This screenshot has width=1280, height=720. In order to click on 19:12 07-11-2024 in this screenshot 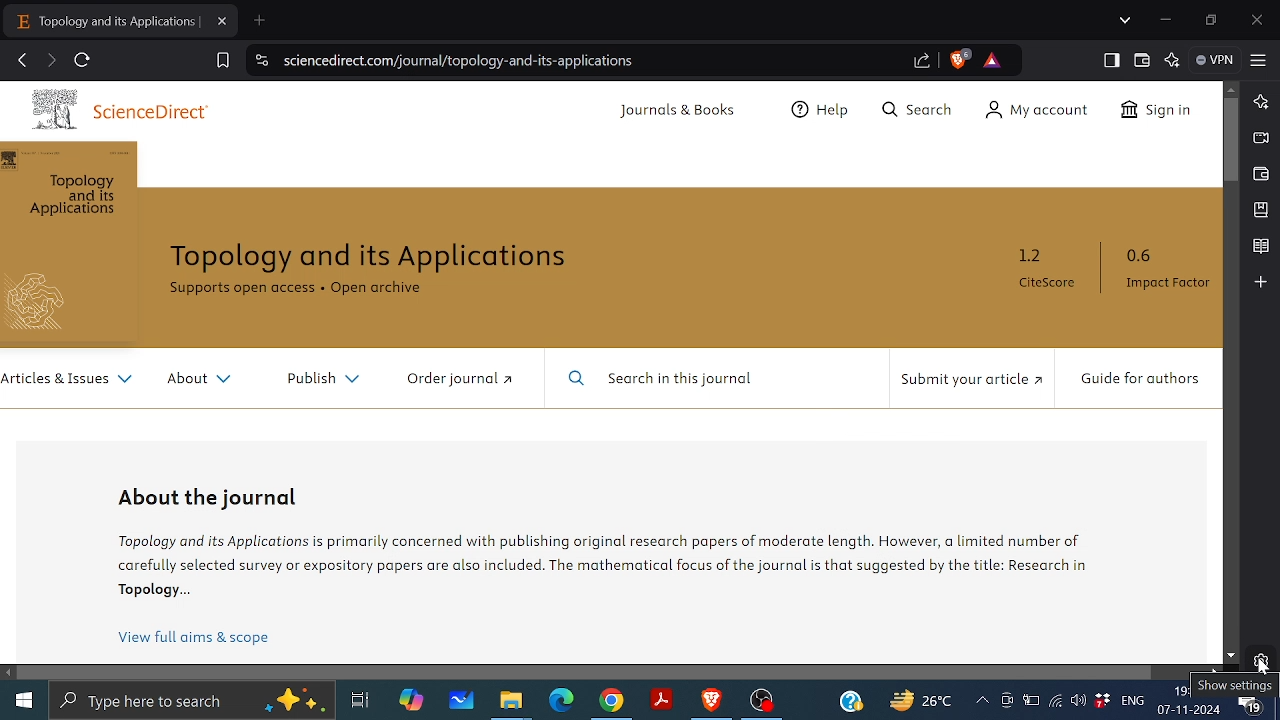, I will do `click(1190, 699)`.